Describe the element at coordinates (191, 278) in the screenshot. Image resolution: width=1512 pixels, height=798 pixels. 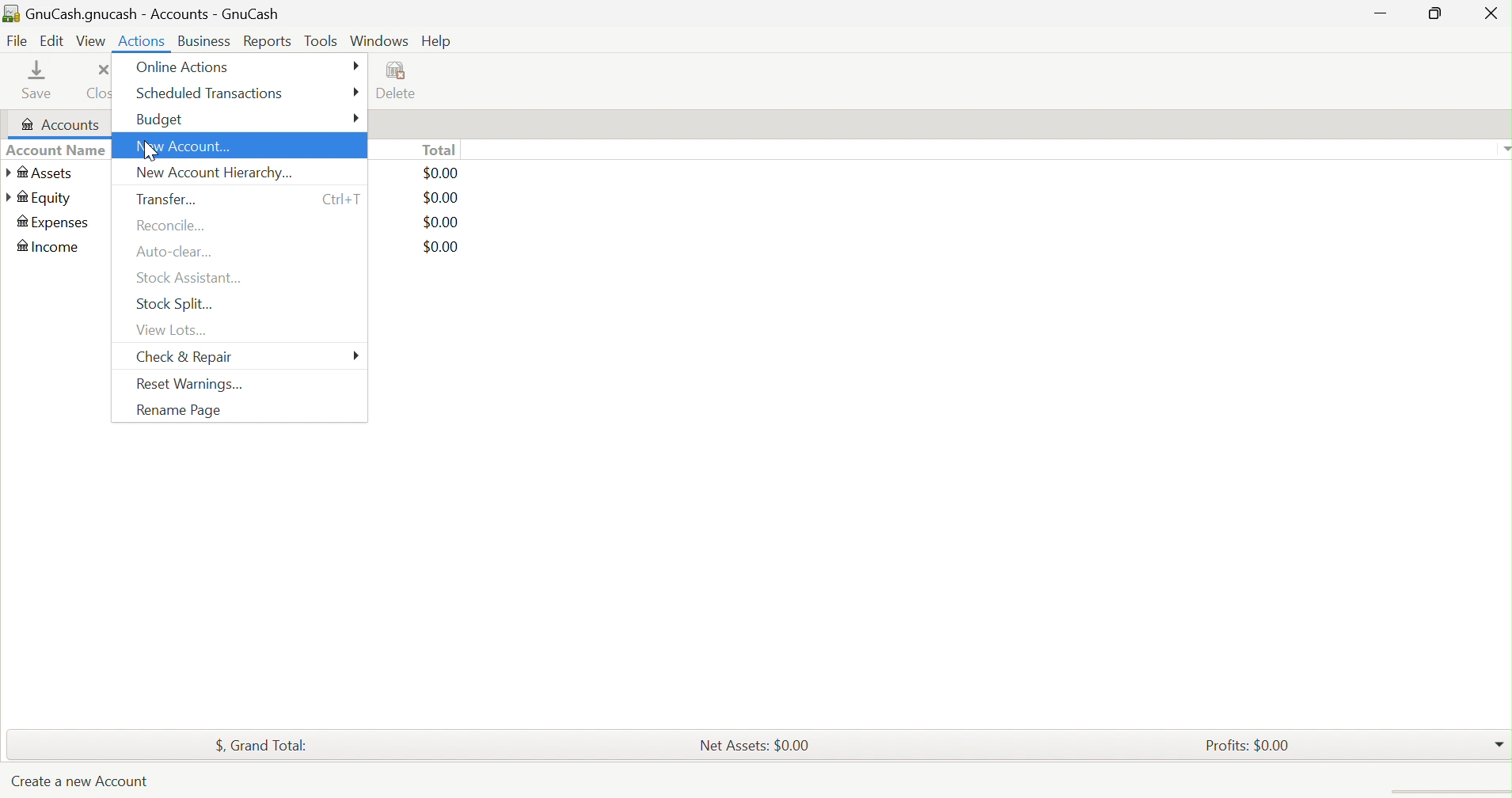
I see `Stock Assistant...` at that location.